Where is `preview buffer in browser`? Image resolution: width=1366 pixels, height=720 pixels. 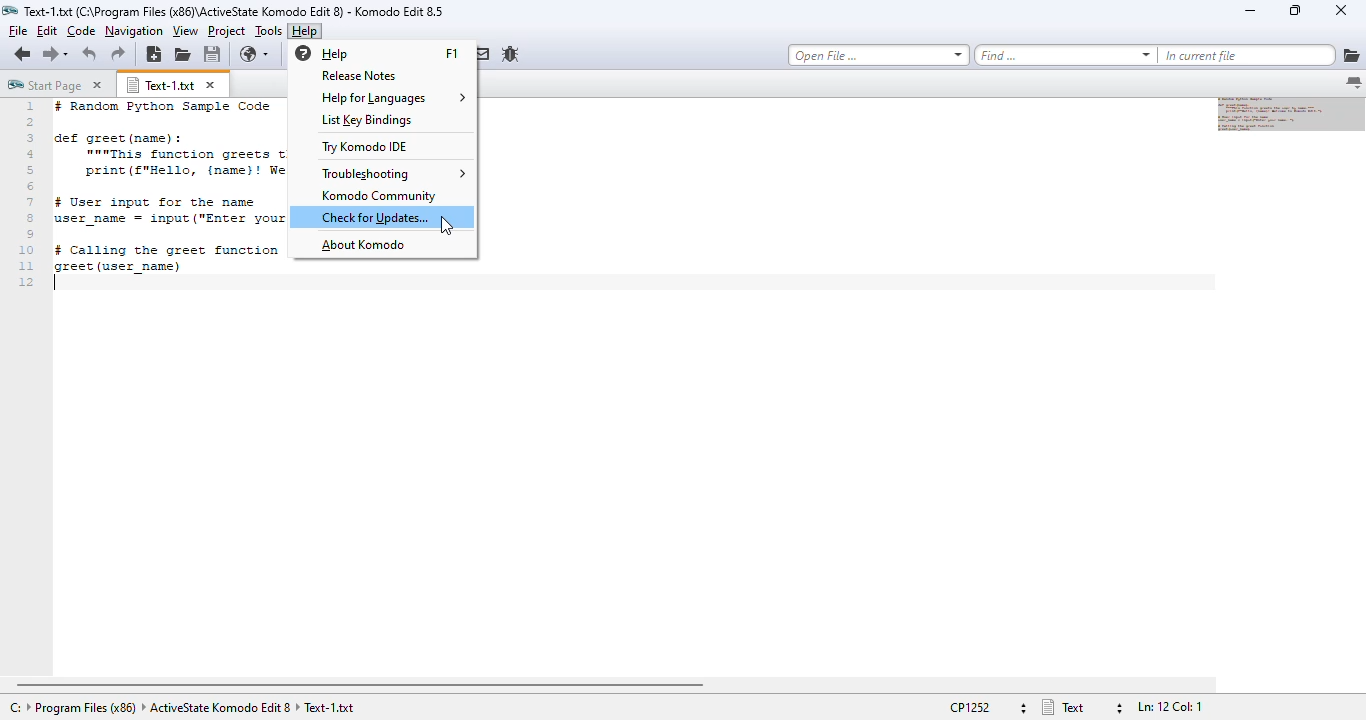 preview buffer in browser is located at coordinates (256, 55).